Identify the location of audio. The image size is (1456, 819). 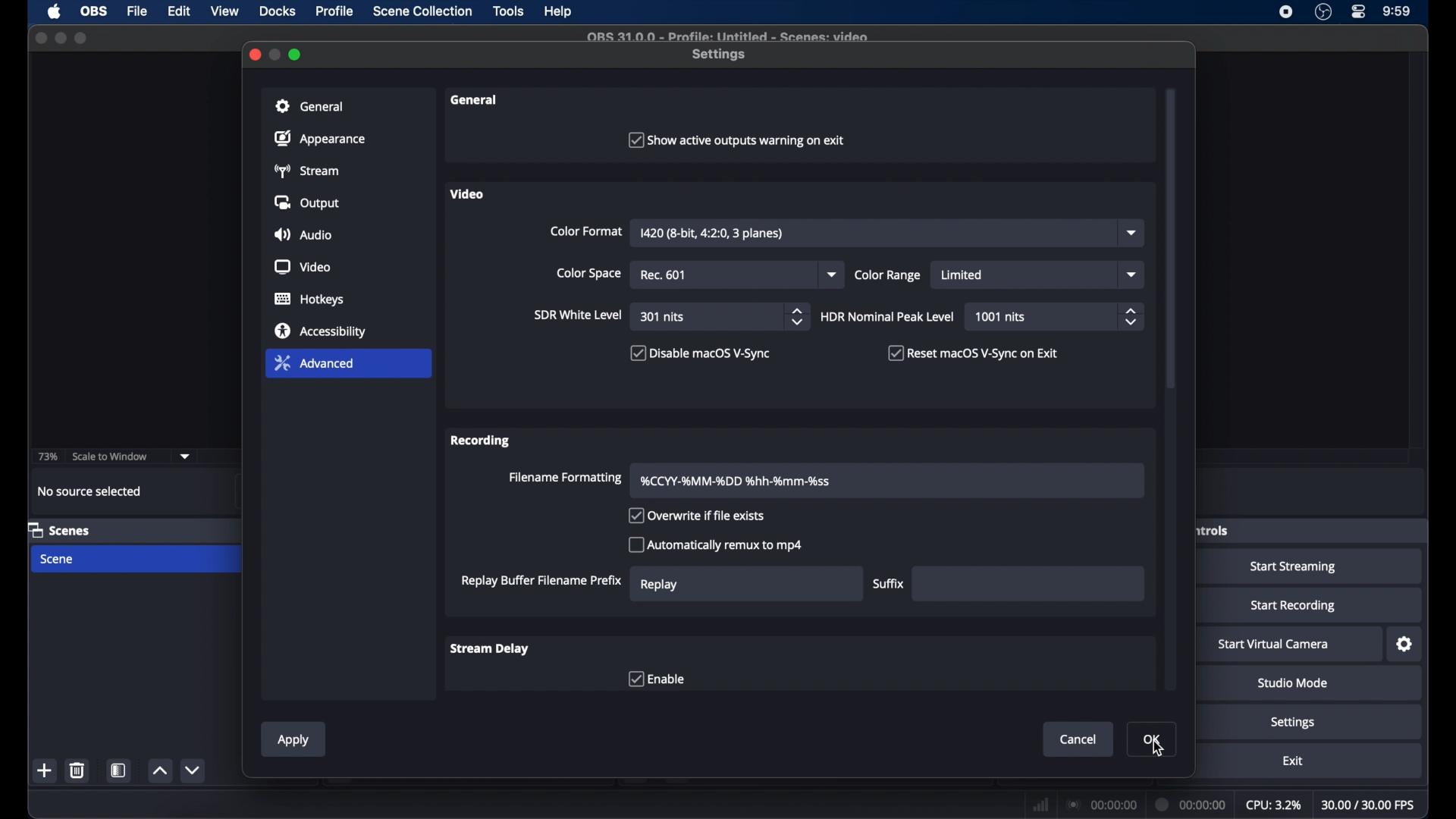
(303, 234).